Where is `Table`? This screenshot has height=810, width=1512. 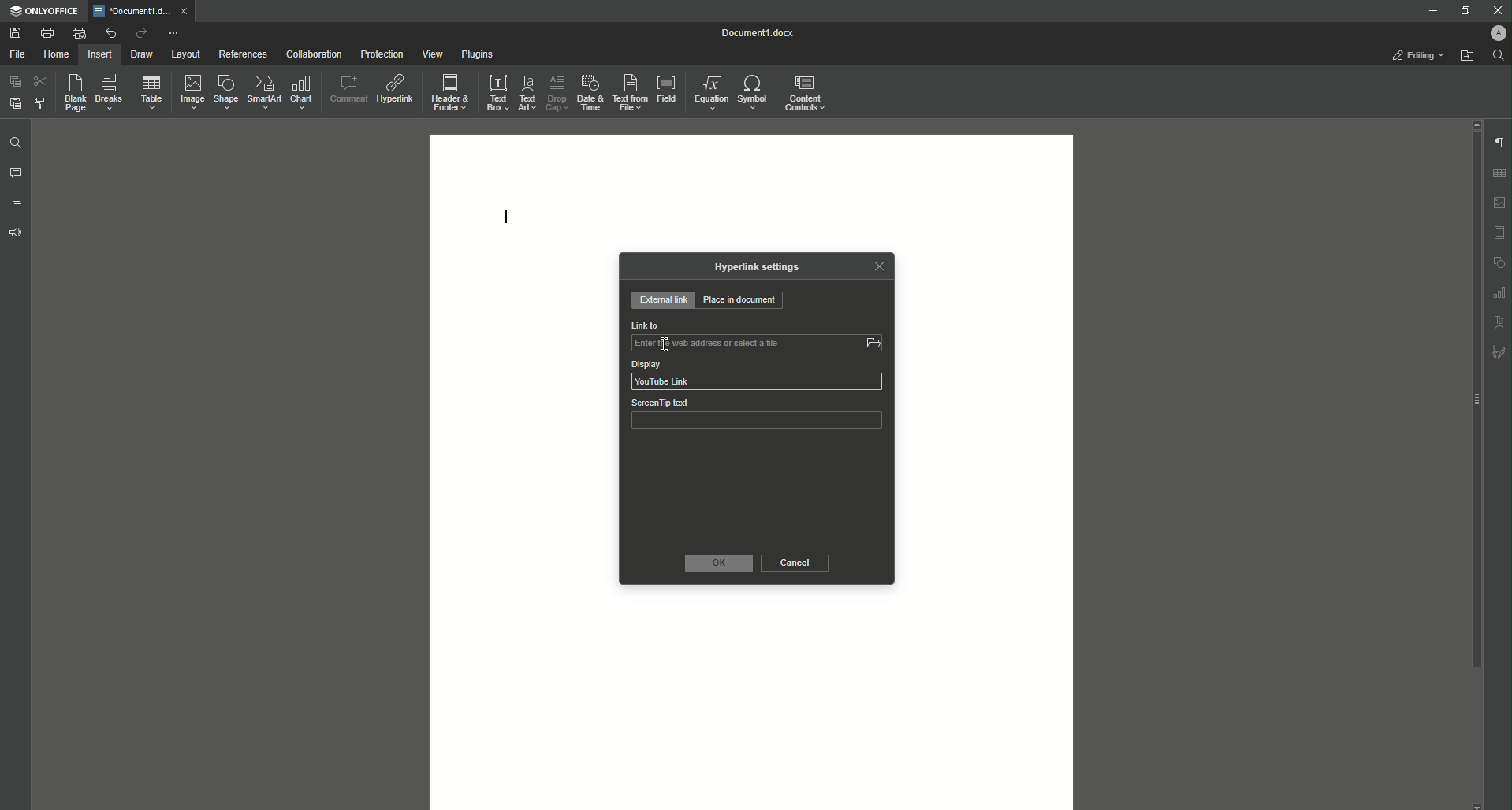 Table is located at coordinates (153, 93).